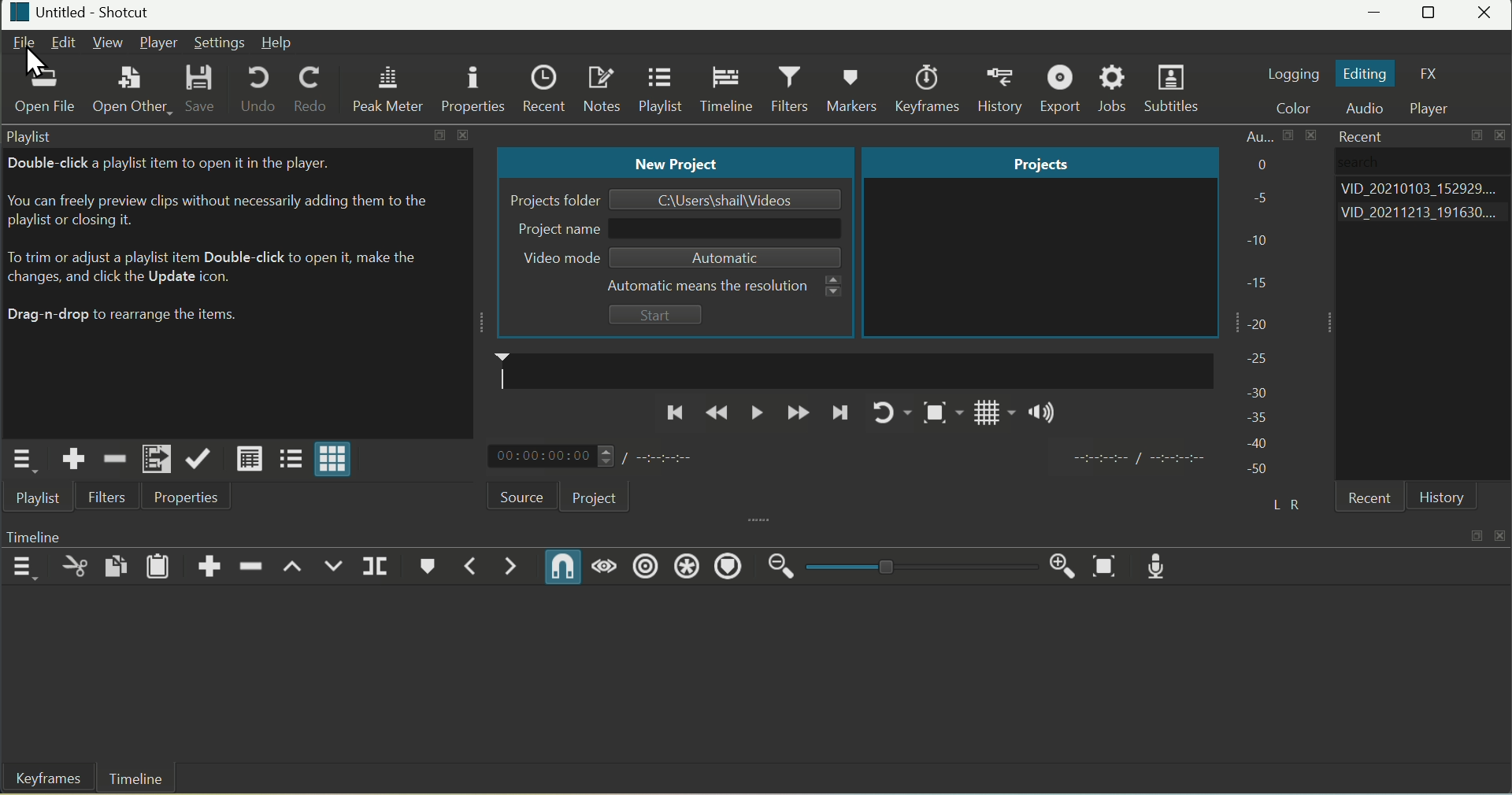 The image size is (1512, 795). What do you see at coordinates (855, 87) in the screenshot?
I see `Markers` at bounding box center [855, 87].